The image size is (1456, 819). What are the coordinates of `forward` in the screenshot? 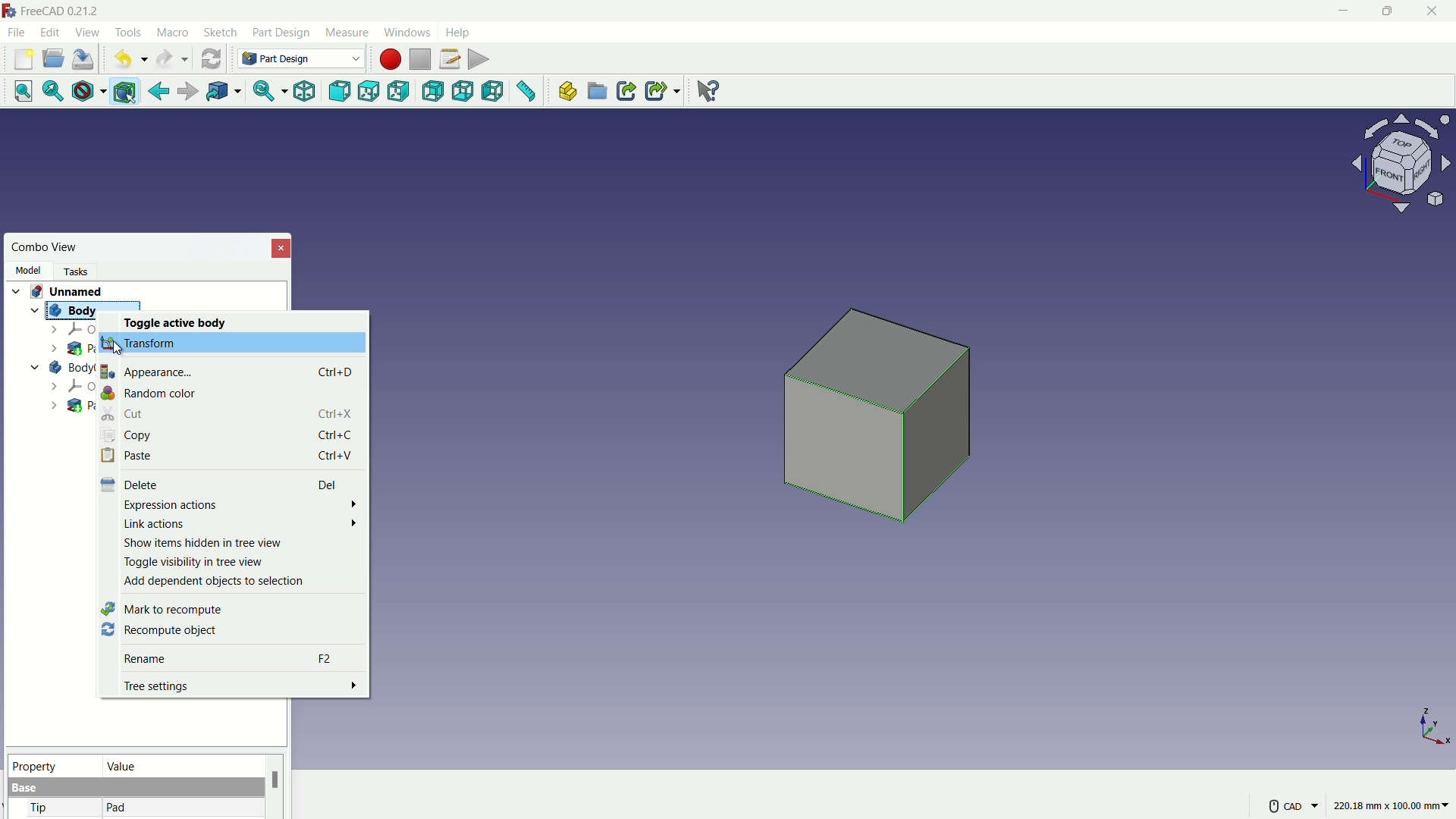 It's located at (186, 93).